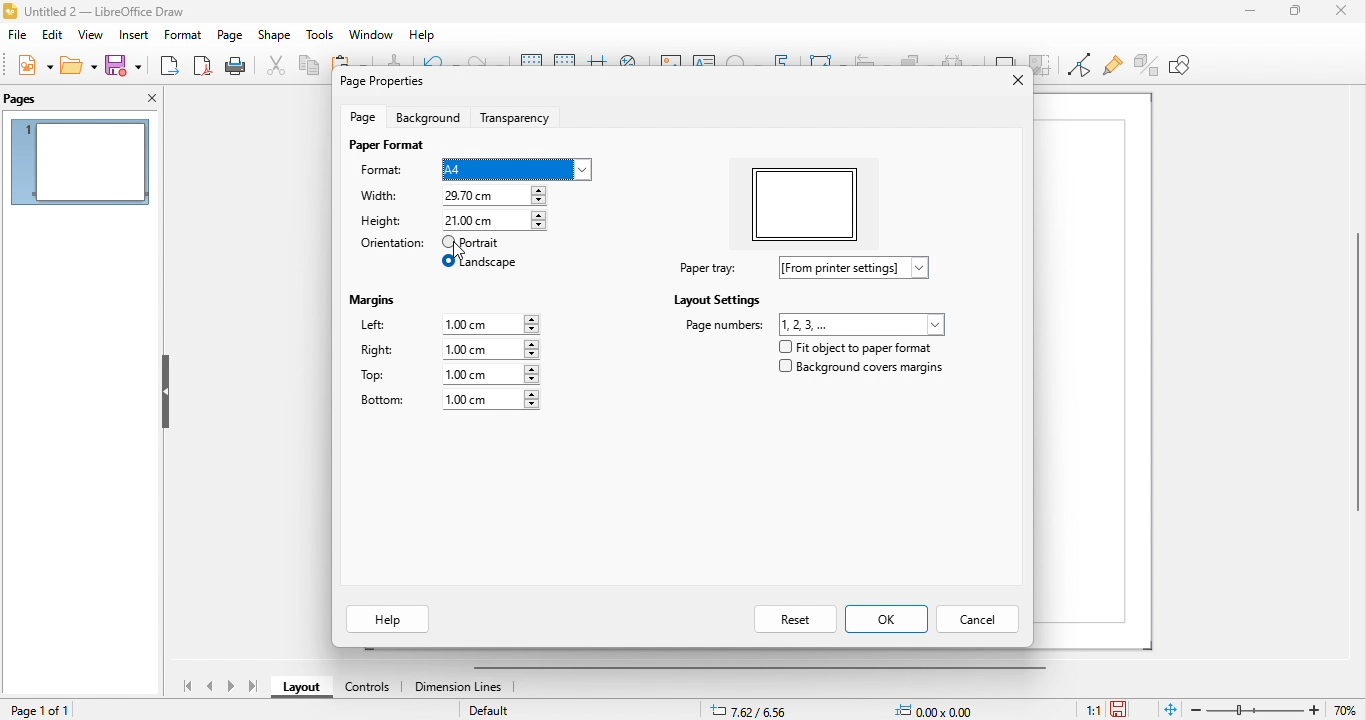 This screenshot has width=1366, height=720. Describe the element at coordinates (147, 97) in the screenshot. I see `close pane` at that location.